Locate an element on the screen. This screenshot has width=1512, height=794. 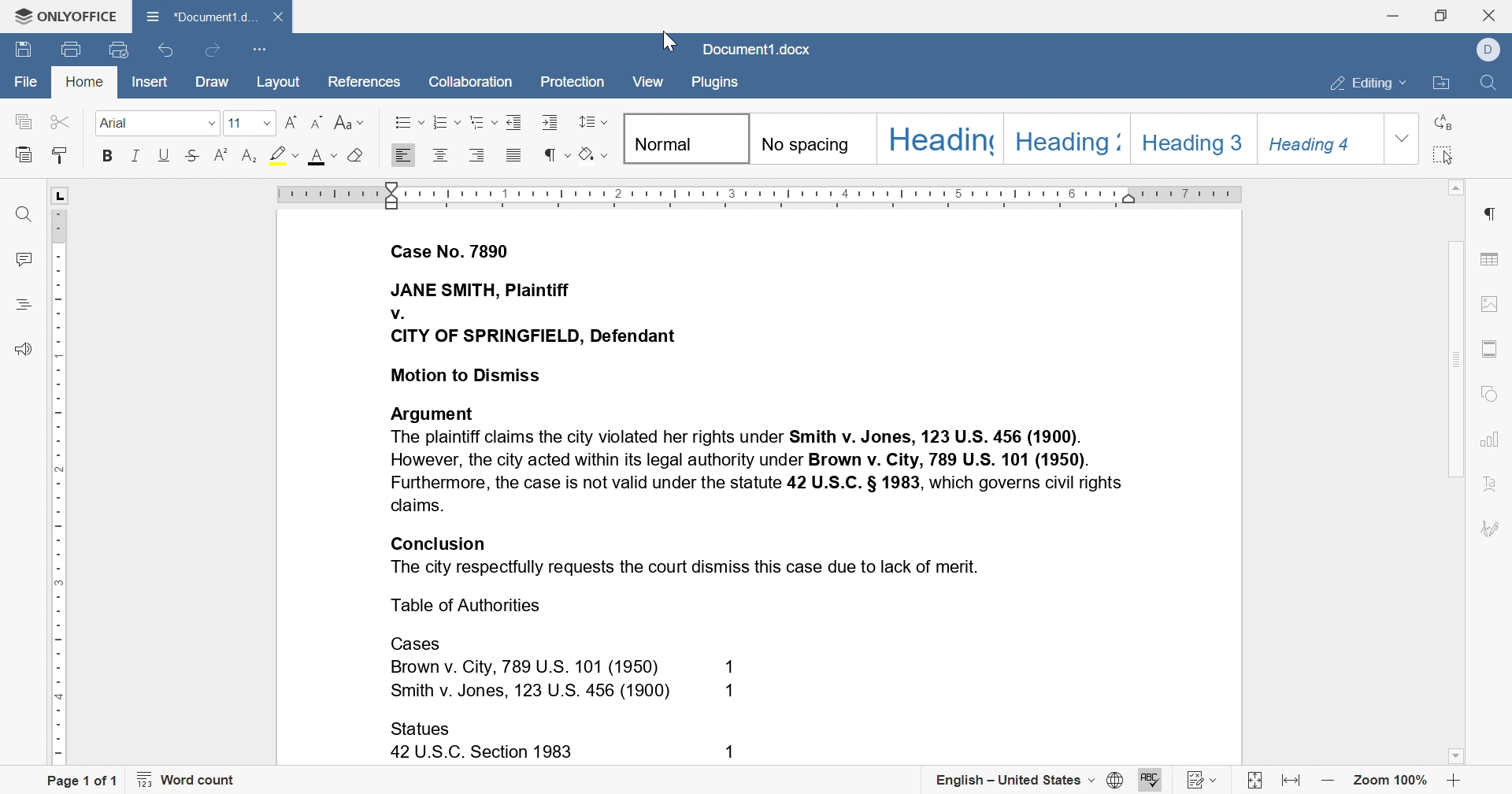
chart settings is located at coordinates (1488, 440).